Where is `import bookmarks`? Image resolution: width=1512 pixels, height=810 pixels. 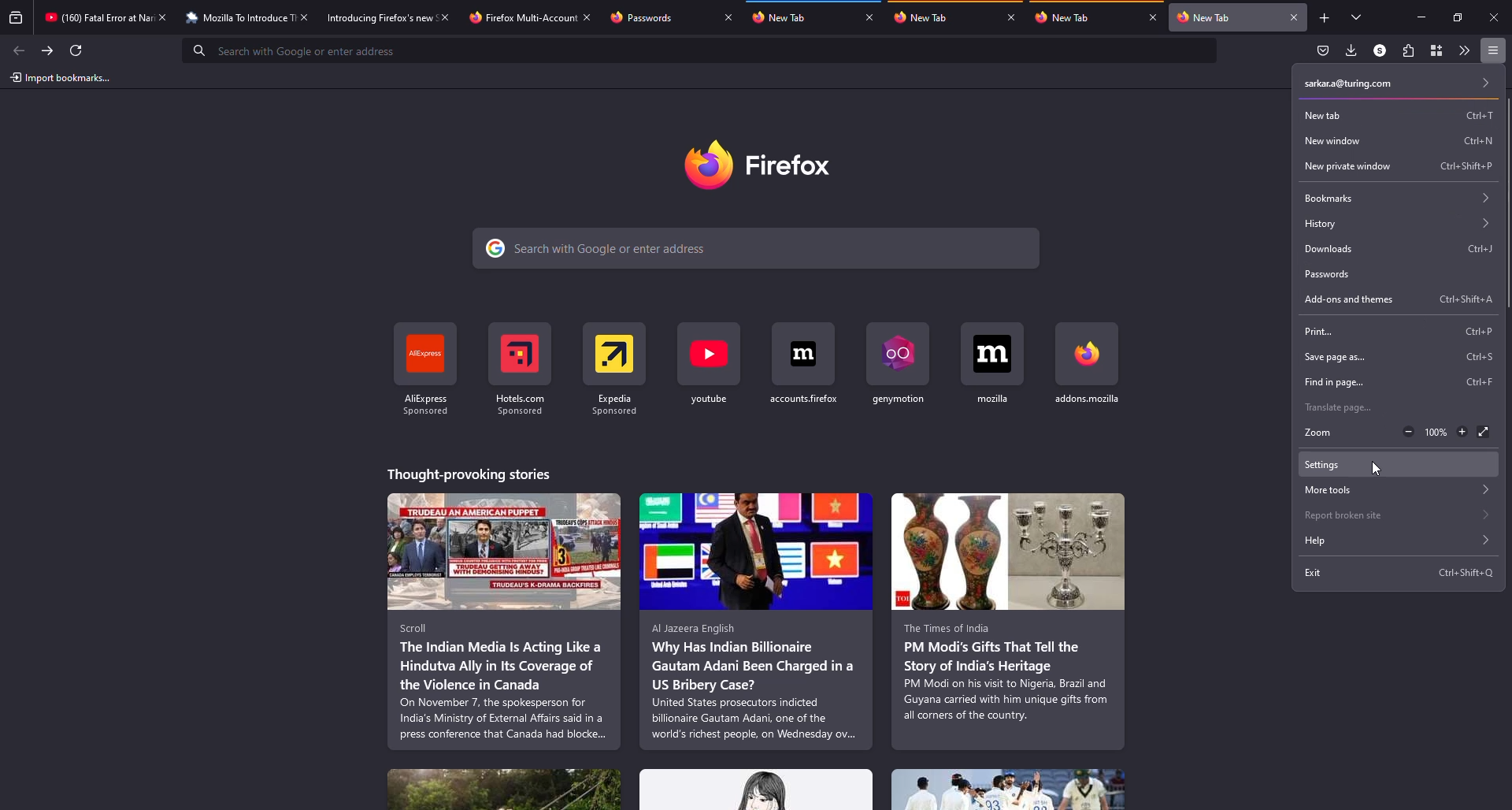
import bookmarks is located at coordinates (59, 76).